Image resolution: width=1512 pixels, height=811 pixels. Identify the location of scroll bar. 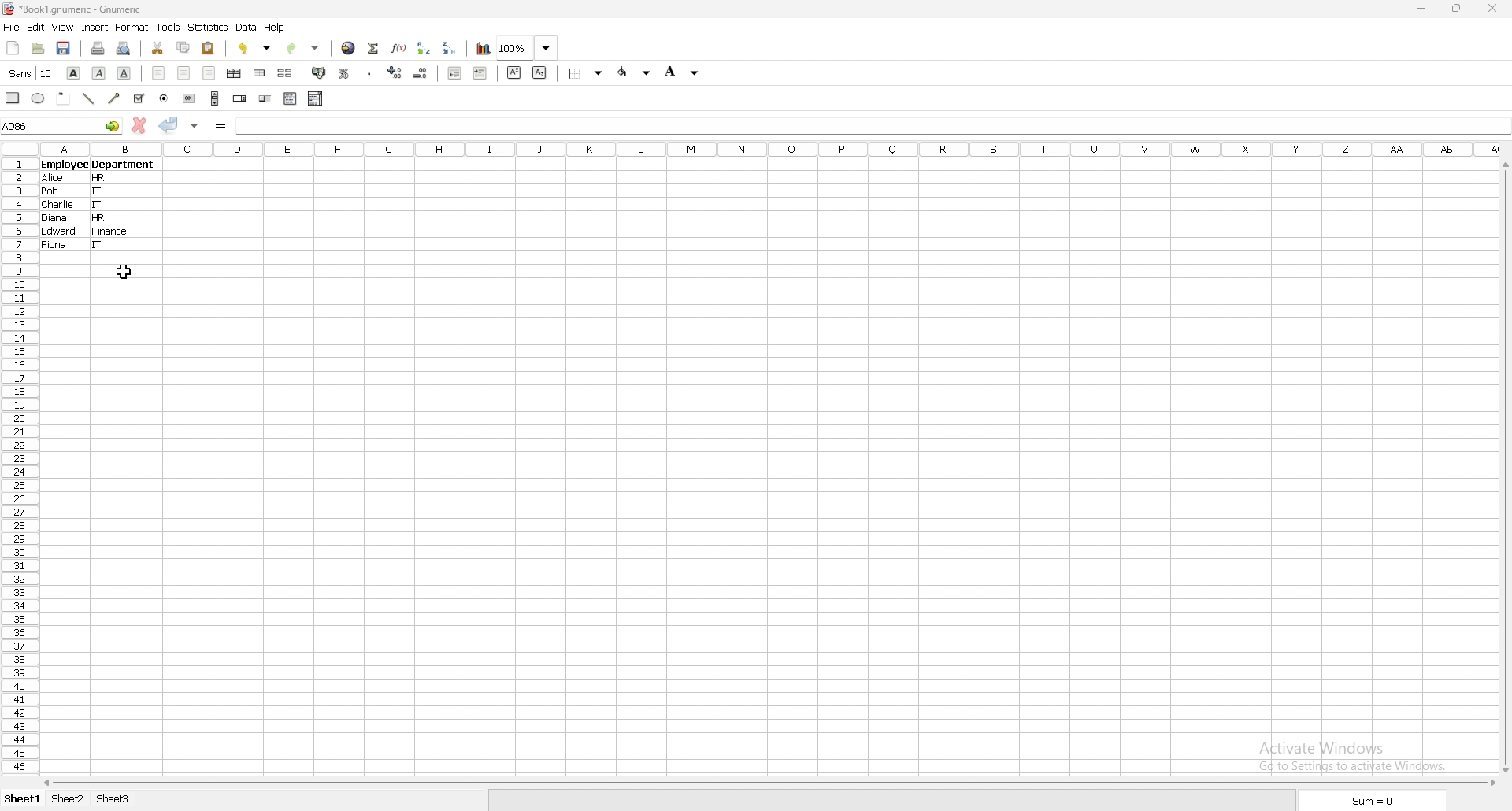
(1506, 466).